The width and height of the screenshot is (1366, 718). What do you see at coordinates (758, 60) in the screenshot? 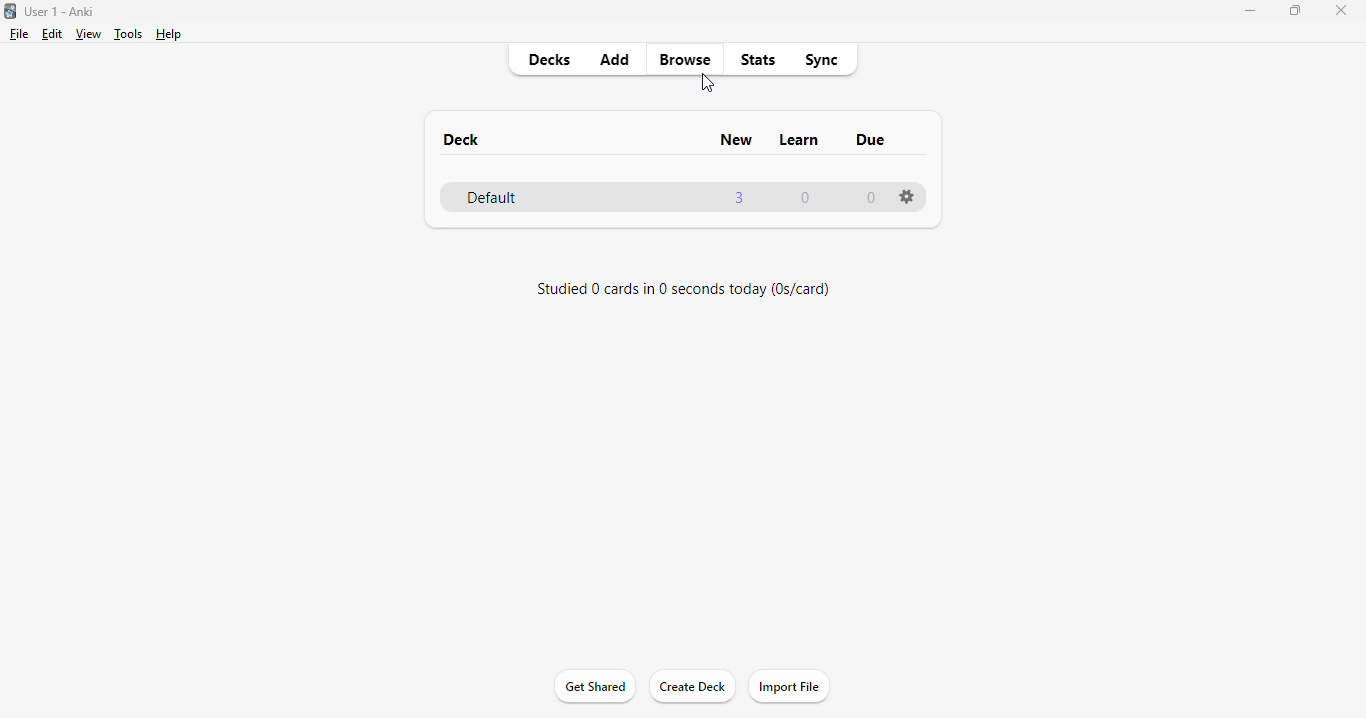
I see `stats` at bounding box center [758, 60].